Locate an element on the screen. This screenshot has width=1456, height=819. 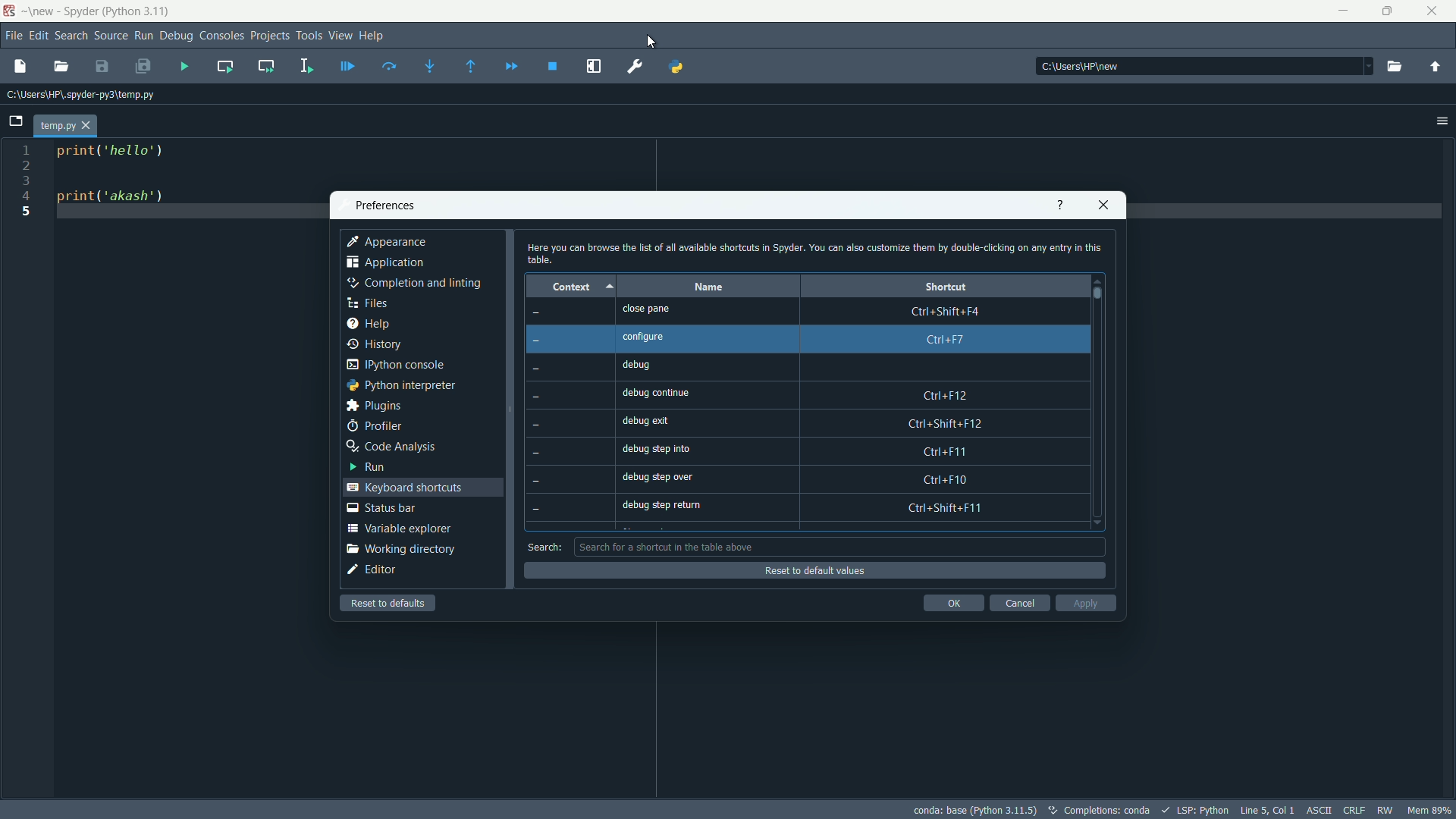
run current cell is located at coordinates (225, 66).